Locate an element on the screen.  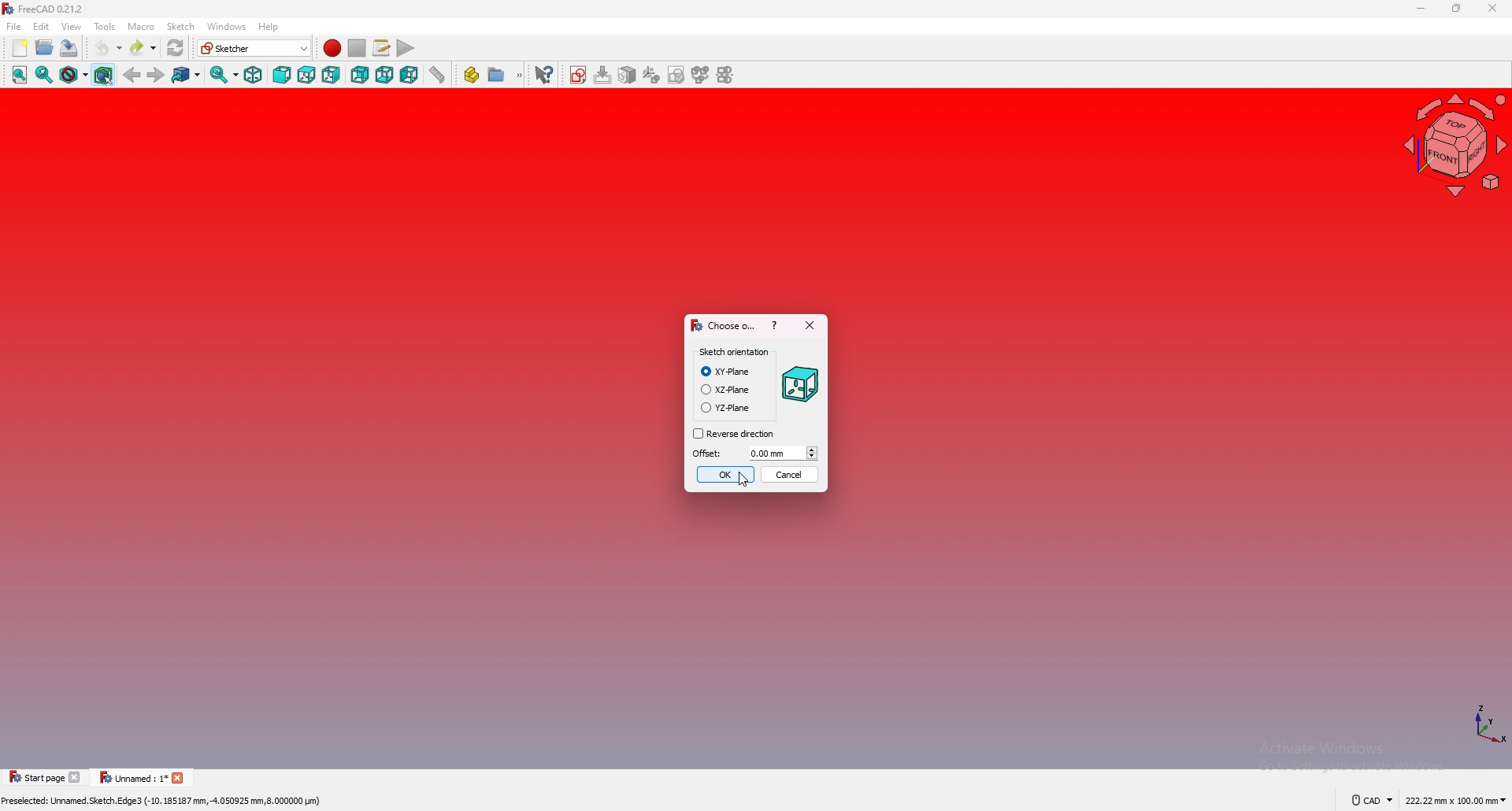
ok is located at coordinates (725, 474).